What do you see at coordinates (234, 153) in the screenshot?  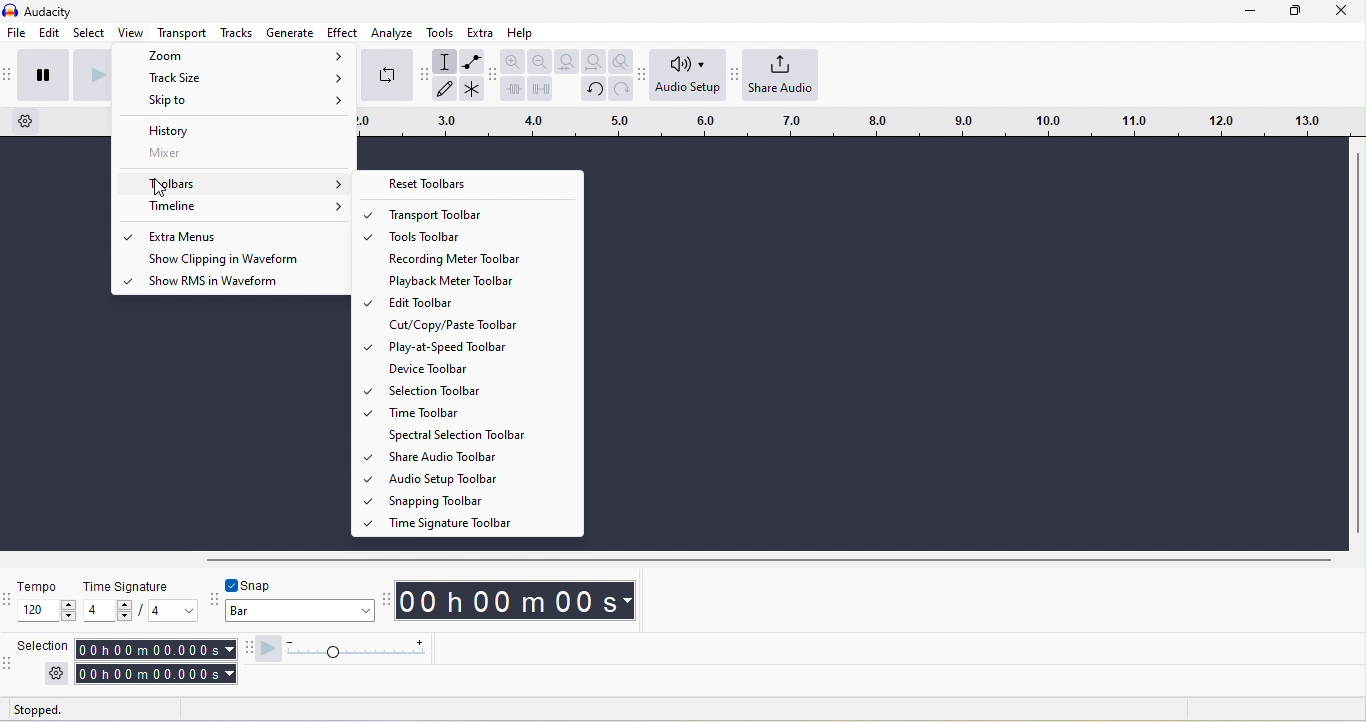 I see `Mixer ` at bounding box center [234, 153].